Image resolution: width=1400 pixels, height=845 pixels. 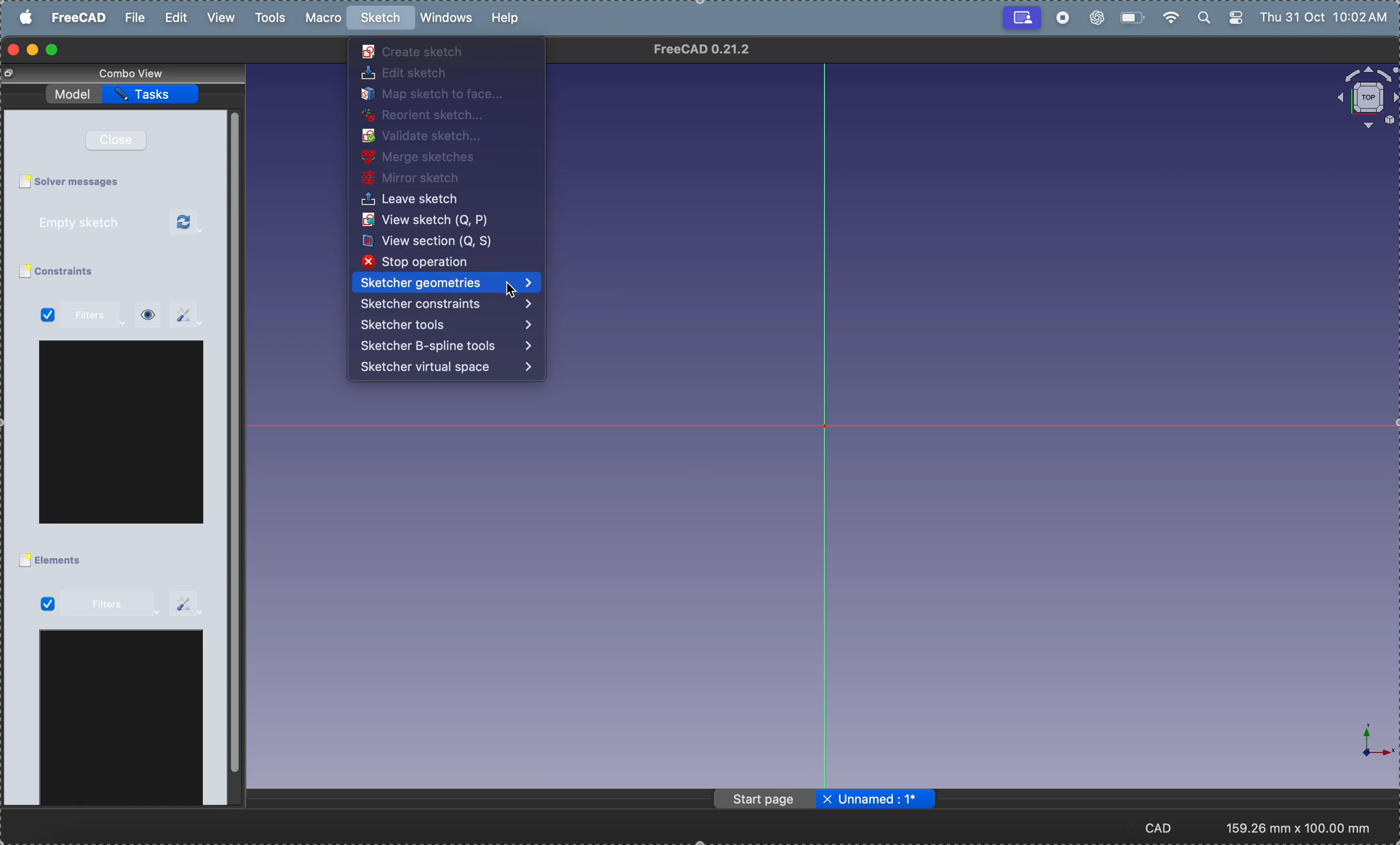 What do you see at coordinates (273, 18) in the screenshot?
I see `tools` at bounding box center [273, 18].